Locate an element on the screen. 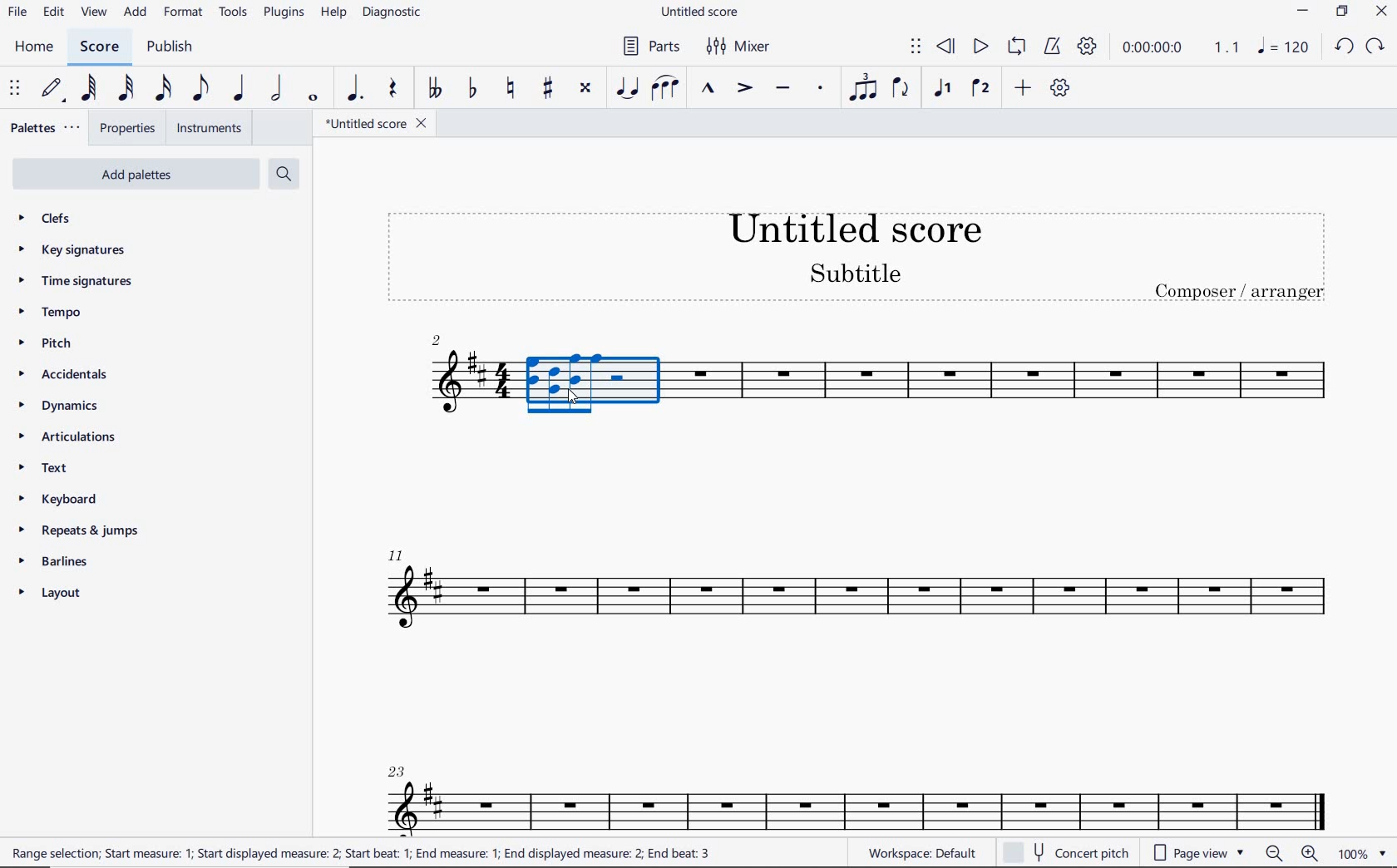 Image resolution: width=1397 pixels, height=868 pixels. INSTRUMENTS is located at coordinates (205, 127).